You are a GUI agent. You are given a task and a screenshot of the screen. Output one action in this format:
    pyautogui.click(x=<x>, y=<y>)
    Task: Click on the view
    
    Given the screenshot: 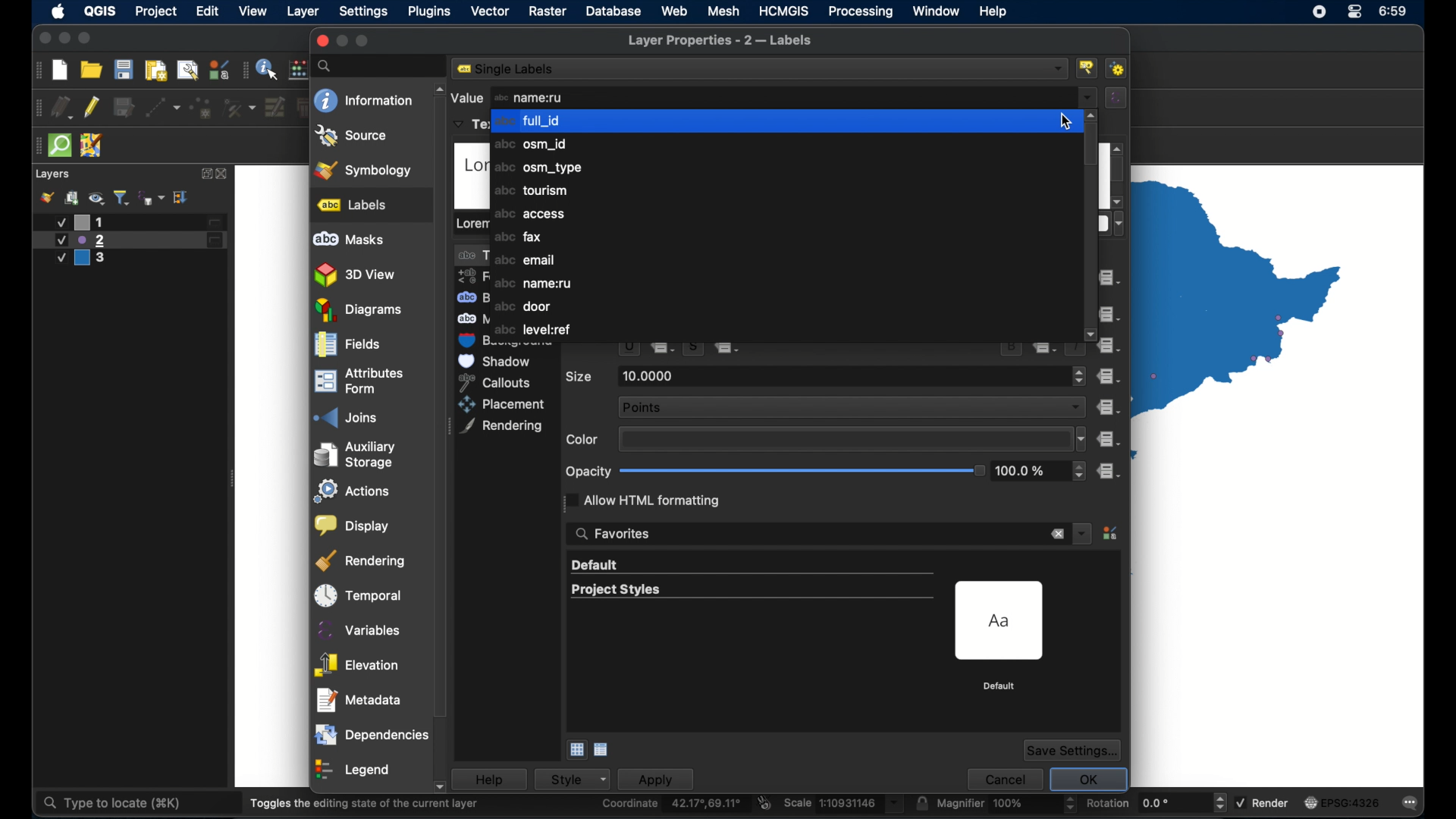 What is the action you would take?
    pyautogui.click(x=254, y=11)
    